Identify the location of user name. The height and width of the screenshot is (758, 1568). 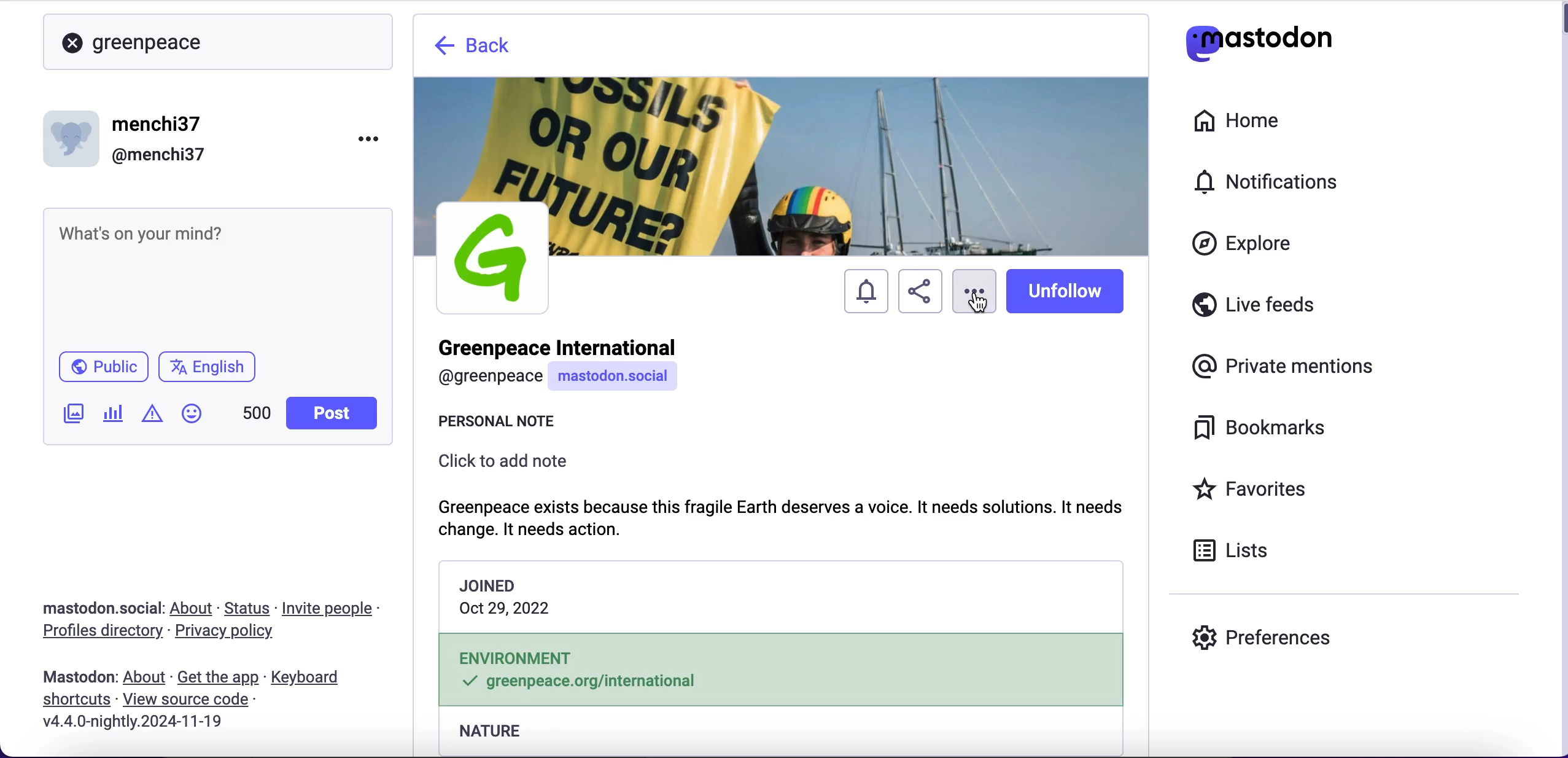
(128, 138).